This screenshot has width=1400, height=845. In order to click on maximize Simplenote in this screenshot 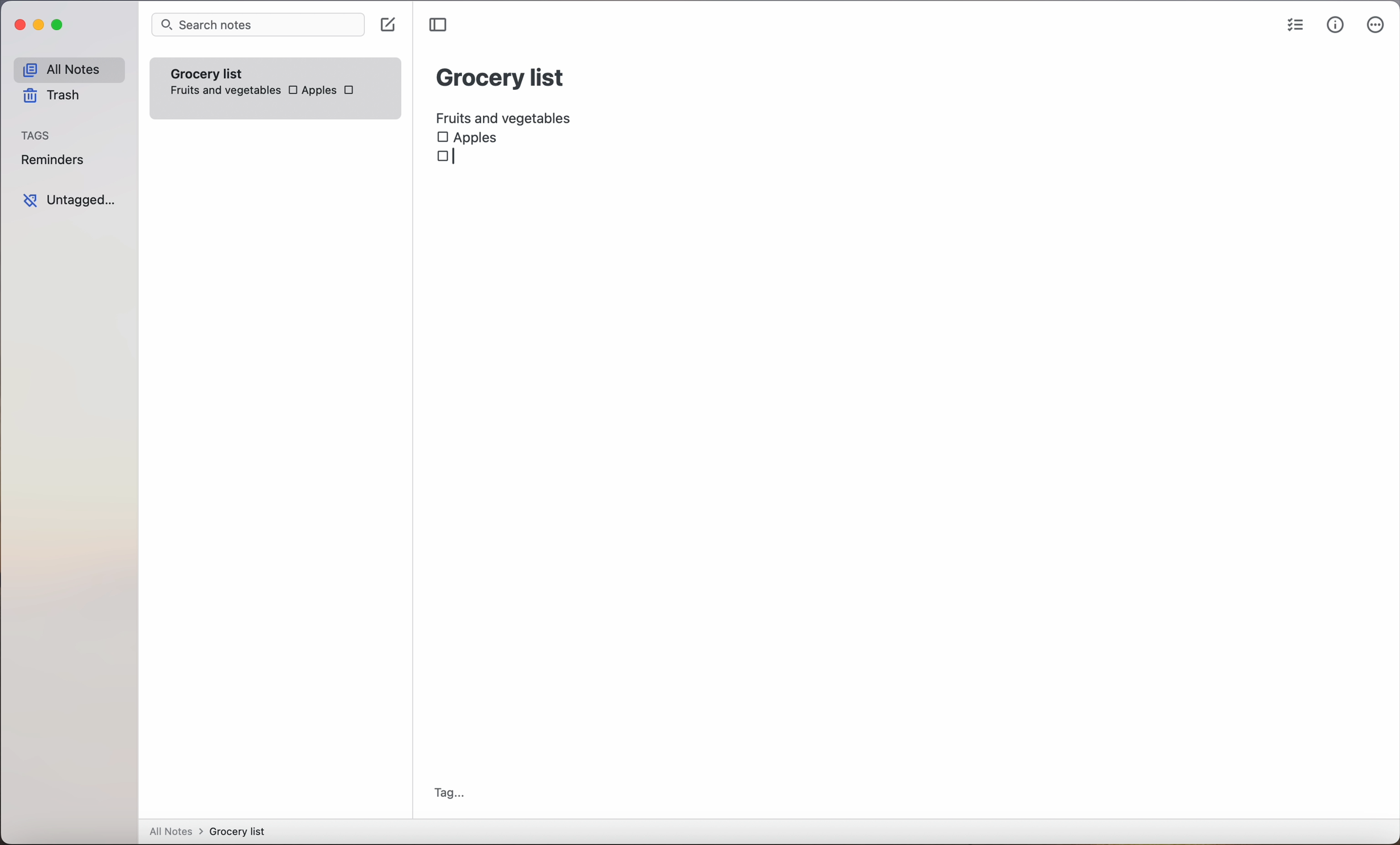, I will do `click(60, 26)`.